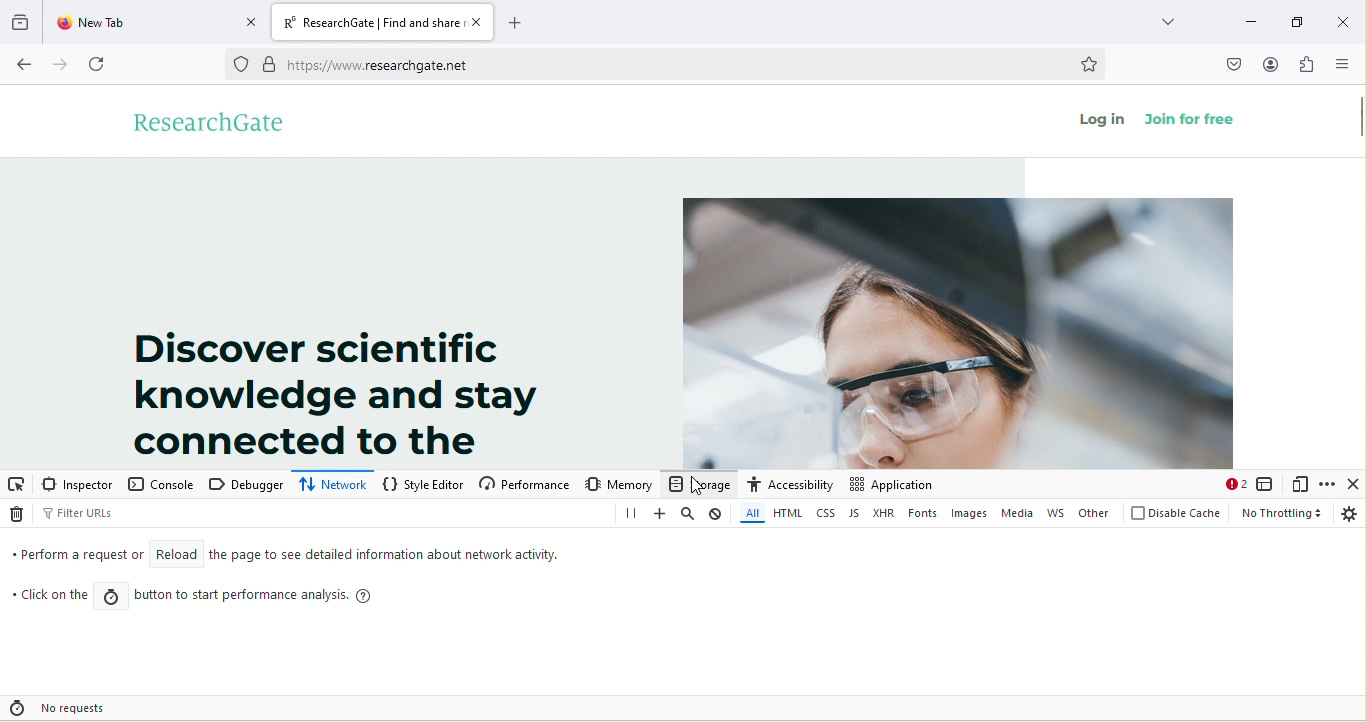 This screenshot has height=722, width=1366. I want to click on console, so click(161, 485).